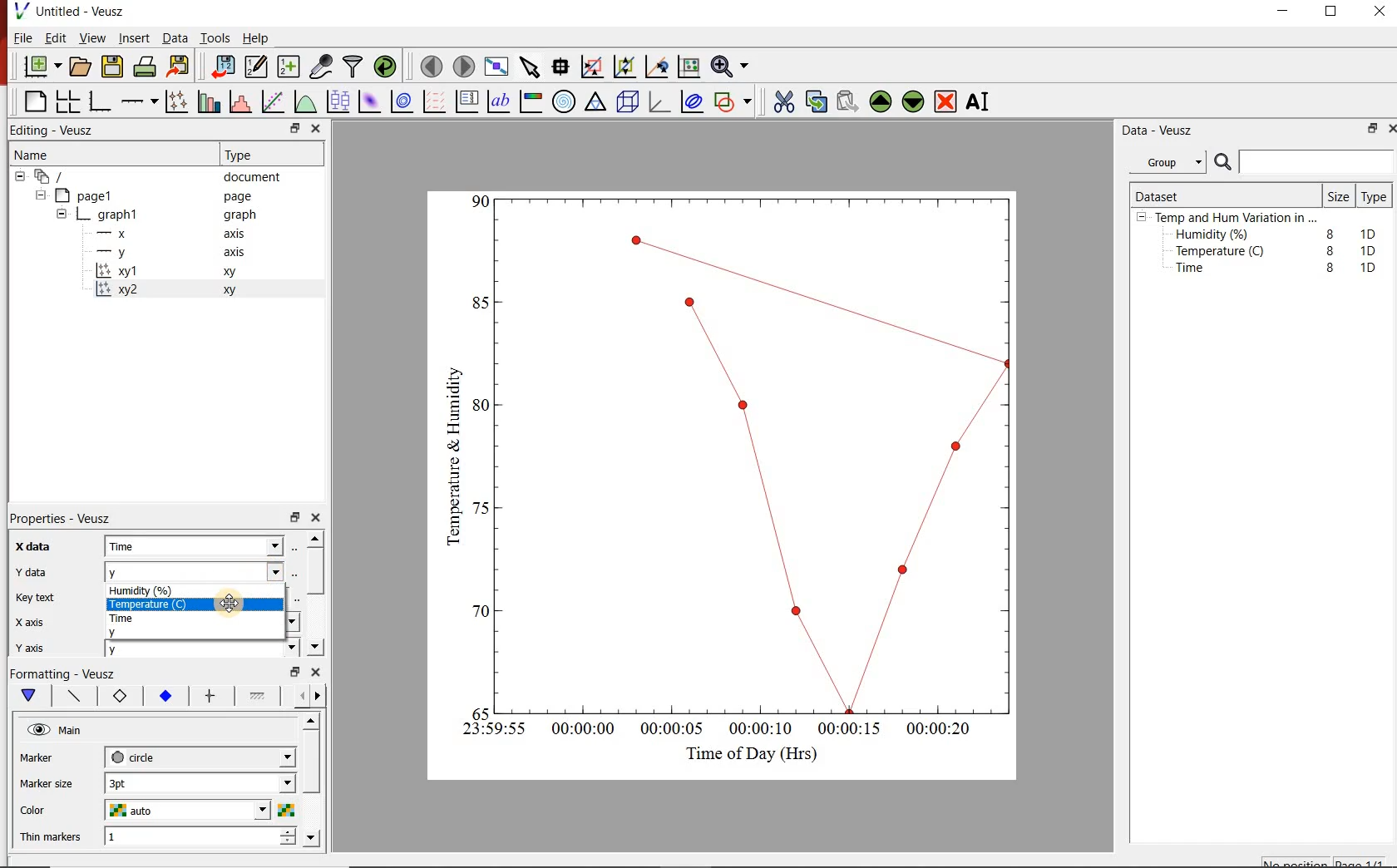 The width and height of the screenshot is (1397, 868). I want to click on document, so click(258, 177).